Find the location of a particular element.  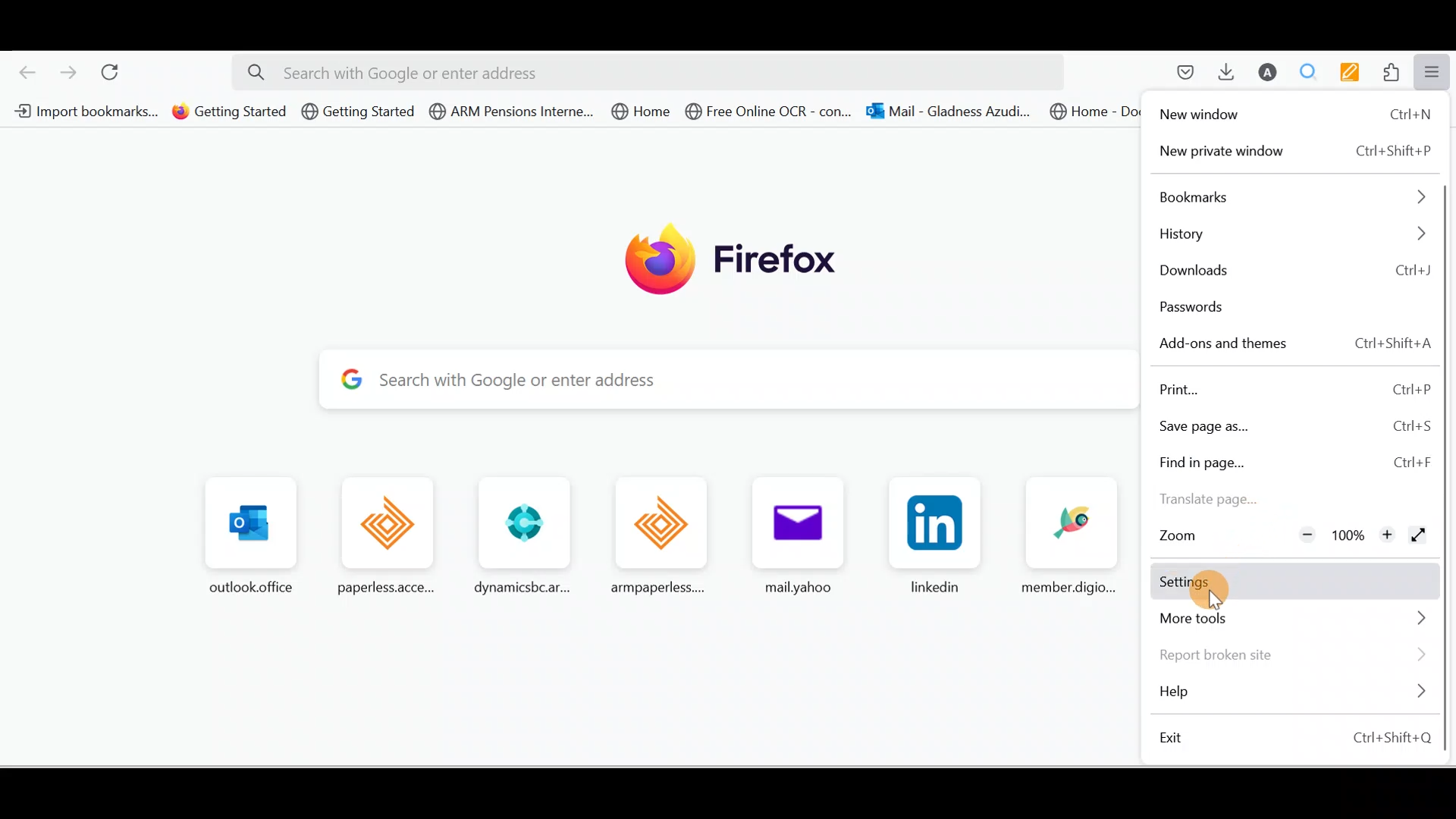

Zoom is located at coordinates (1182, 538).